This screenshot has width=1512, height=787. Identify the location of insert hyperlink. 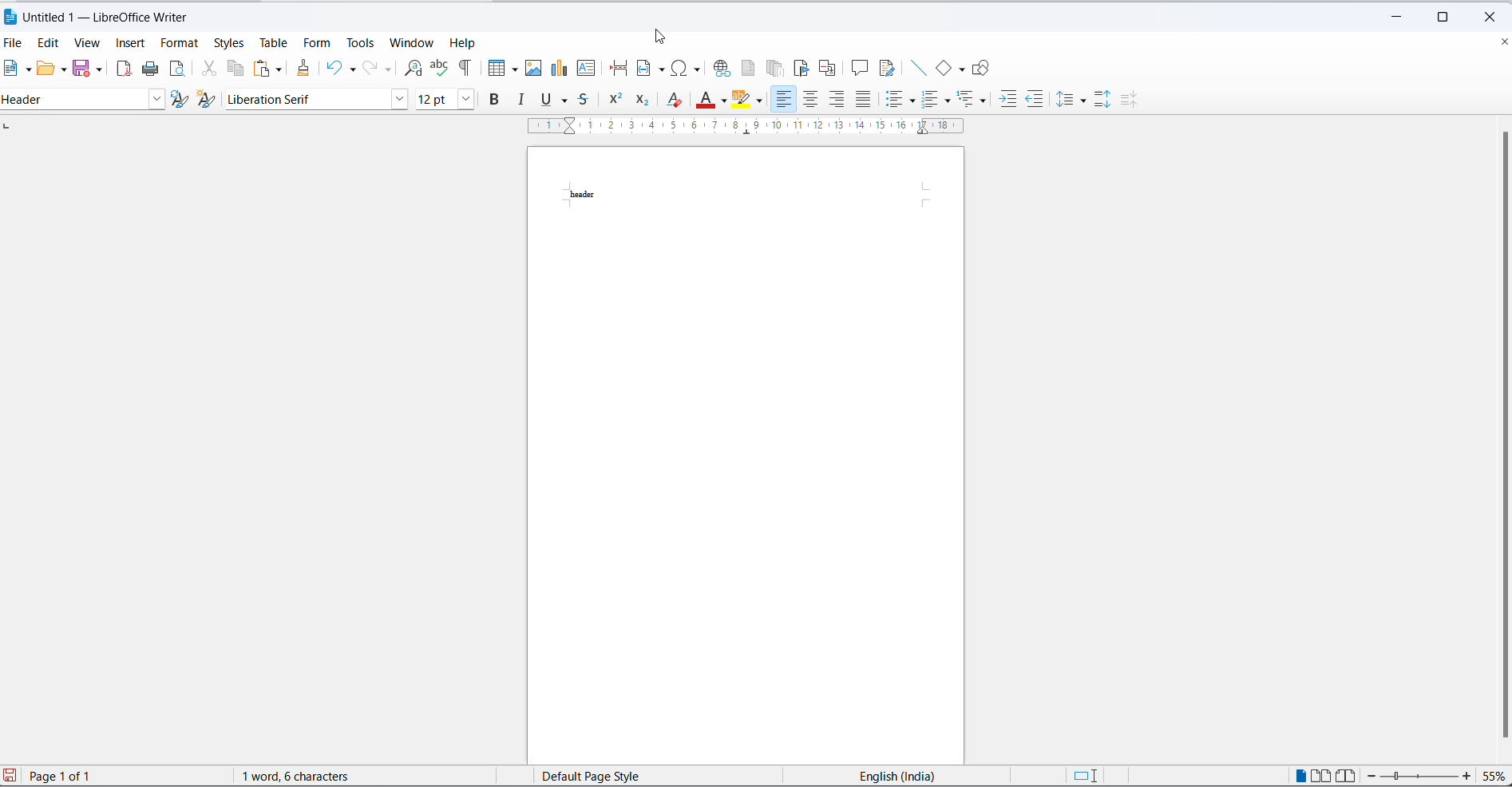
(722, 68).